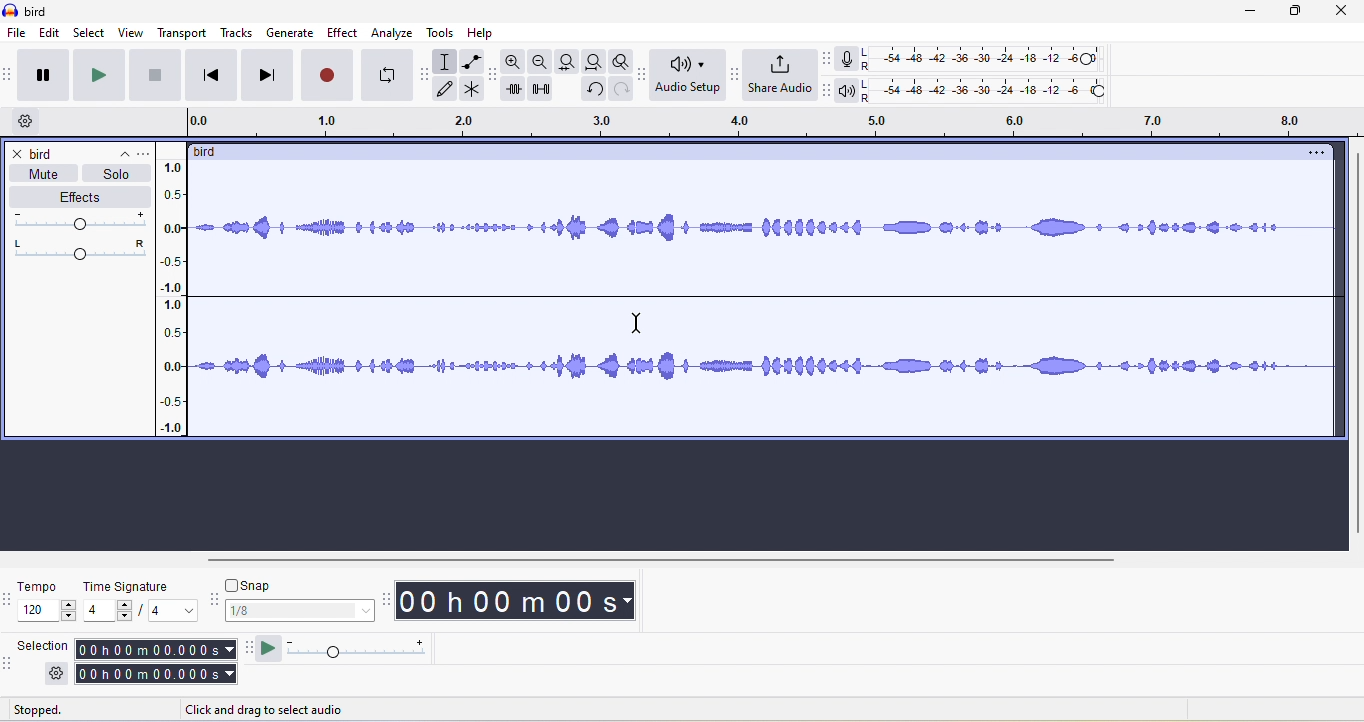  Describe the element at coordinates (615, 64) in the screenshot. I see `zoom toggle` at that location.